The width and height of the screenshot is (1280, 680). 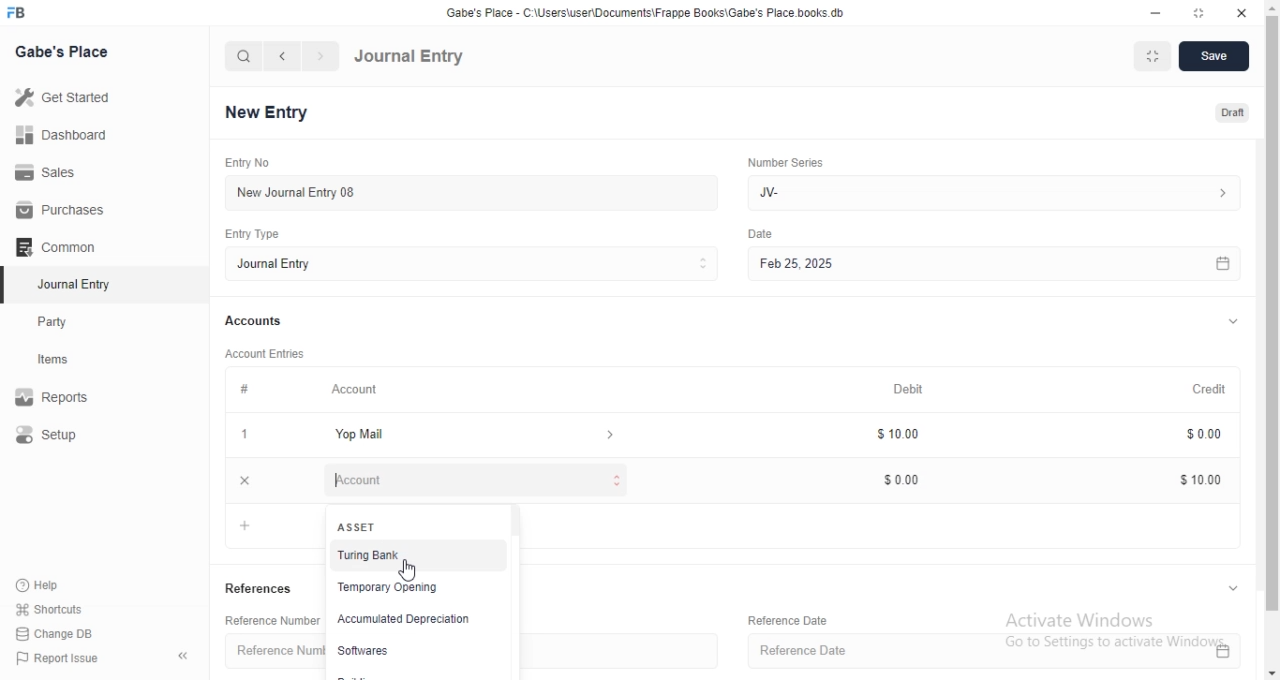 I want to click on Entry Type, so click(x=250, y=234).